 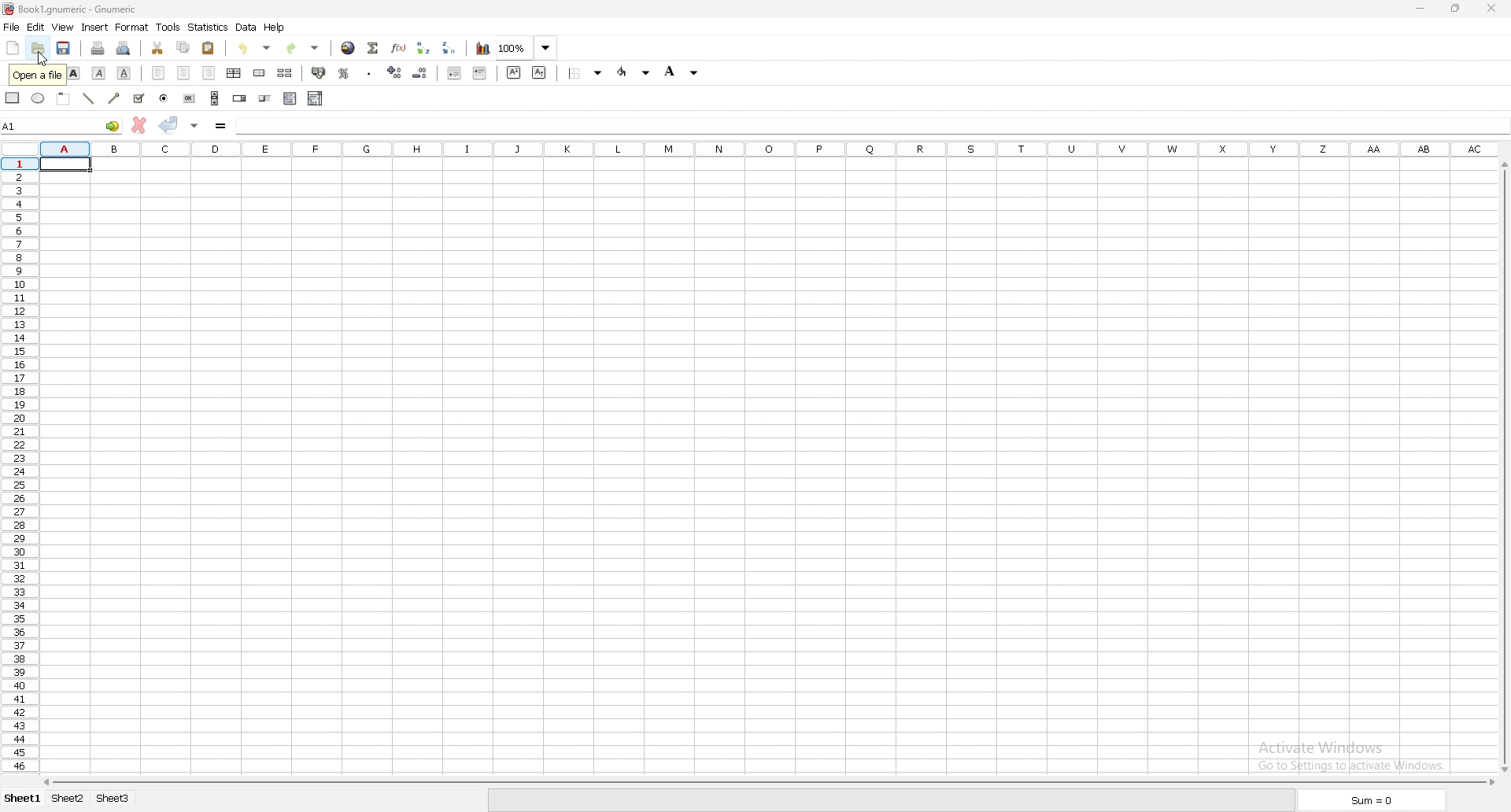 What do you see at coordinates (40, 58) in the screenshot?
I see `cursor` at bounding box center [40, 58].